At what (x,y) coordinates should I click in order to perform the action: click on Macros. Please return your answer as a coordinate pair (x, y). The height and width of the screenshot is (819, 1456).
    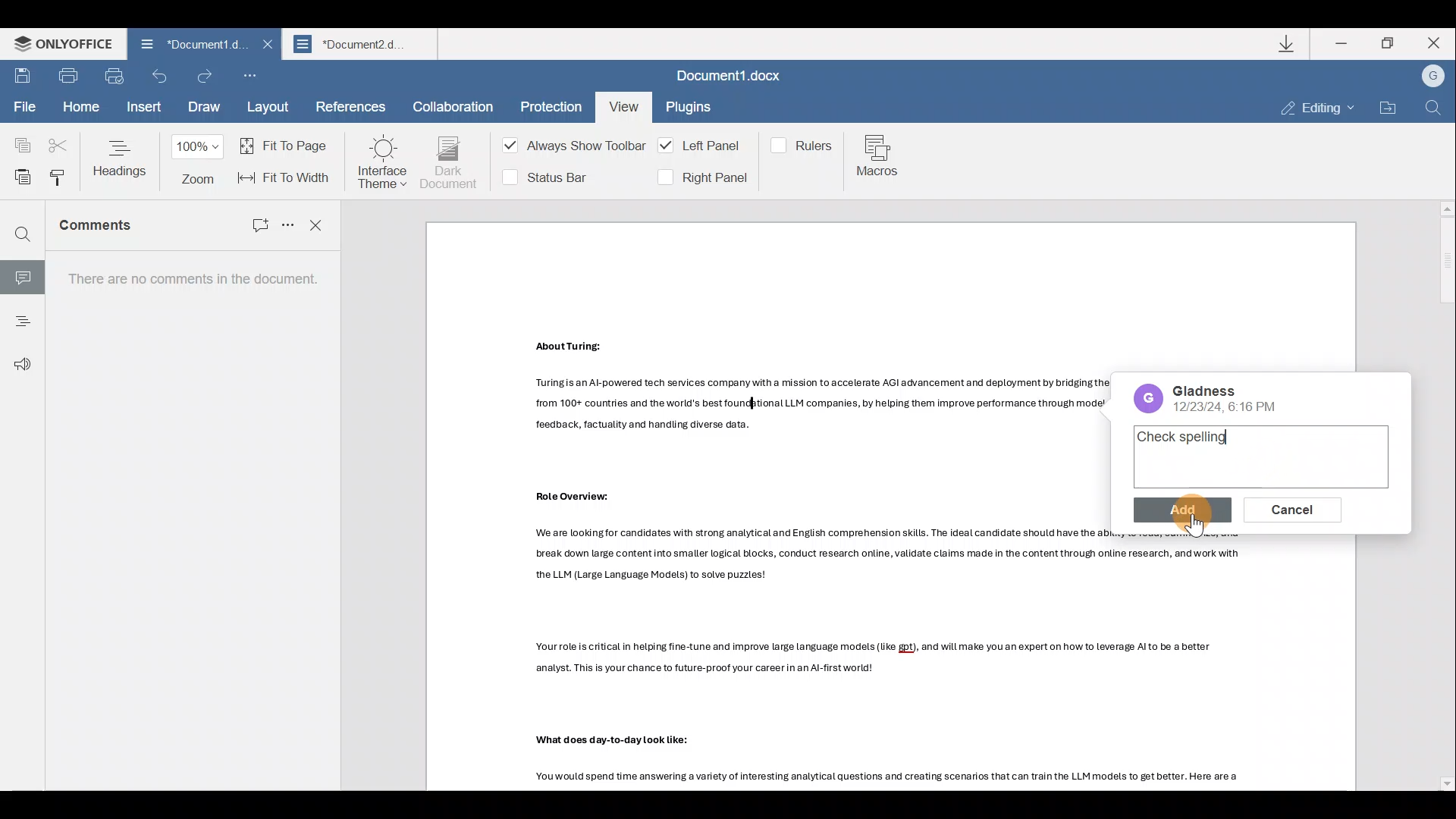
    Looking at the image, I should click on (881, 158).